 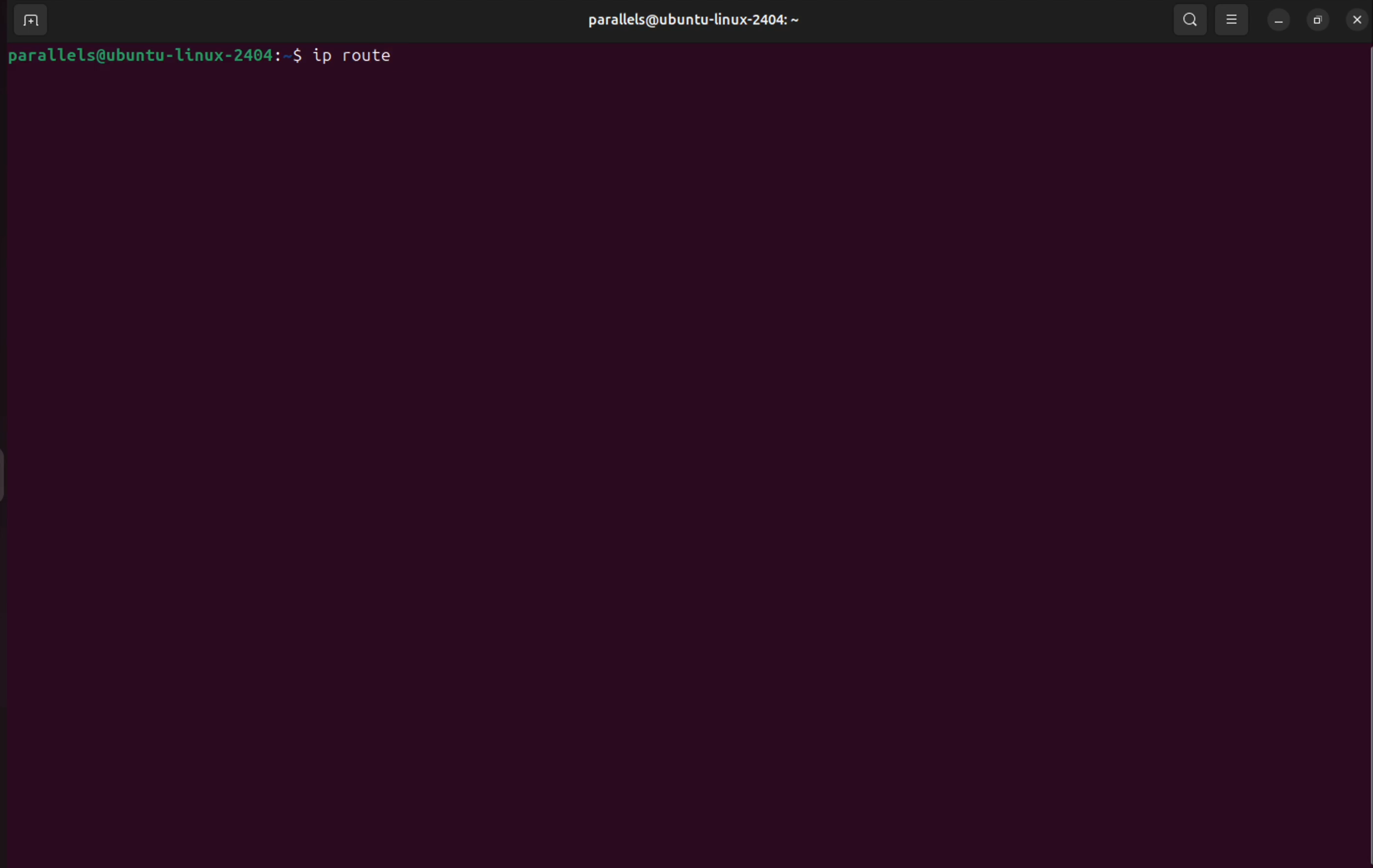 I want to click on ip route, so click(x=361, y=56).